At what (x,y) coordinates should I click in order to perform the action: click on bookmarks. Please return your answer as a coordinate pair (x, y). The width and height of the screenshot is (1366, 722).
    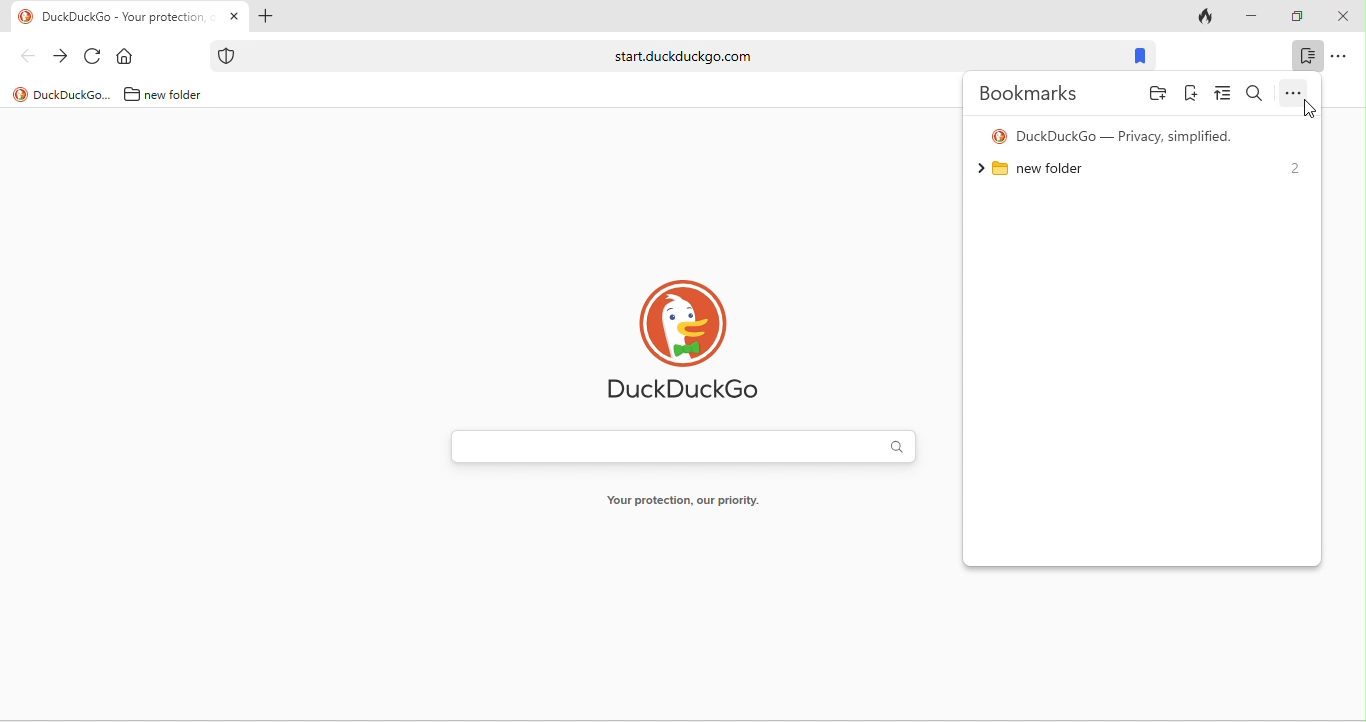
    Looking at the image, I should click on (1028, 93).